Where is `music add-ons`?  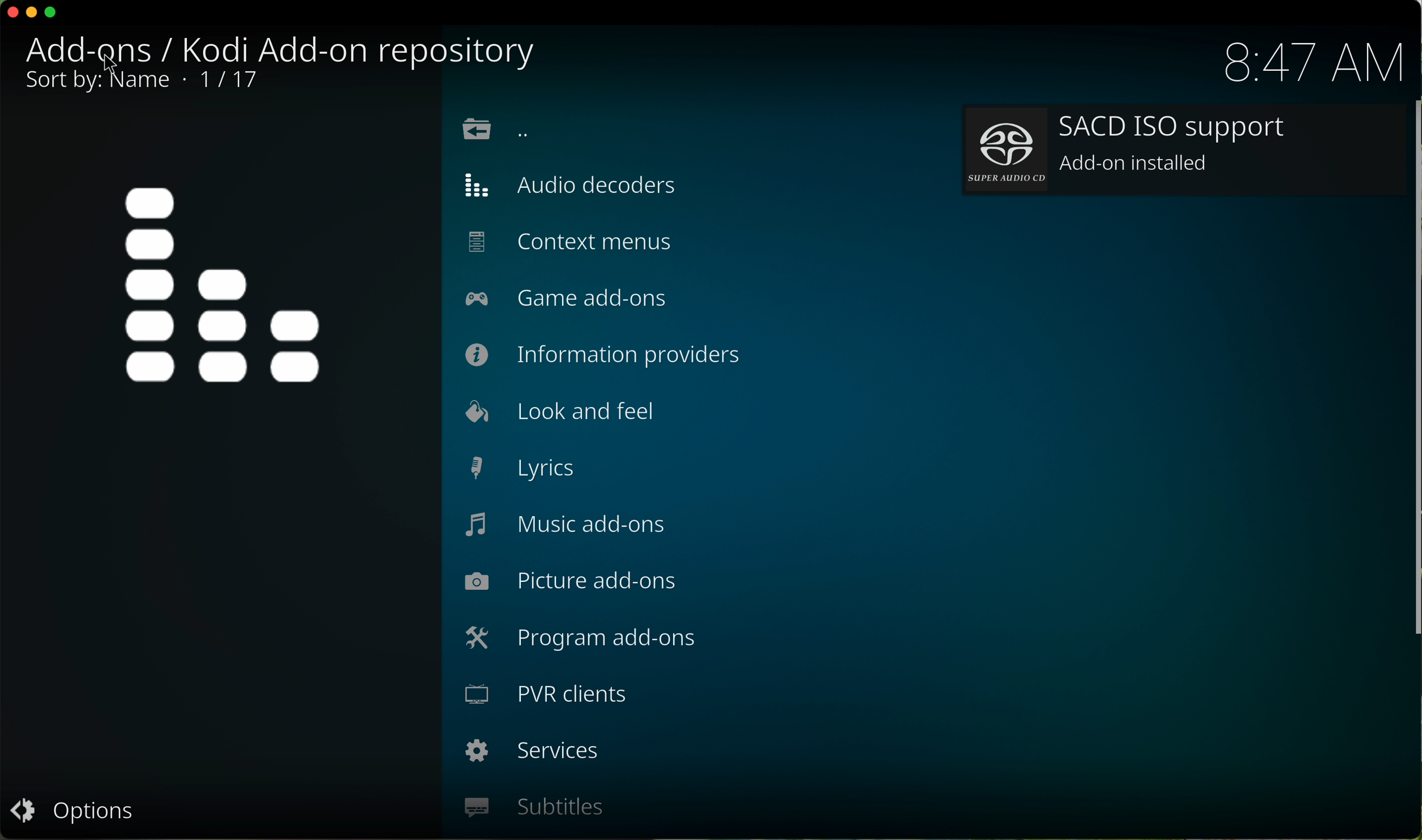 music add-ons is located at coordinates (568, 527).